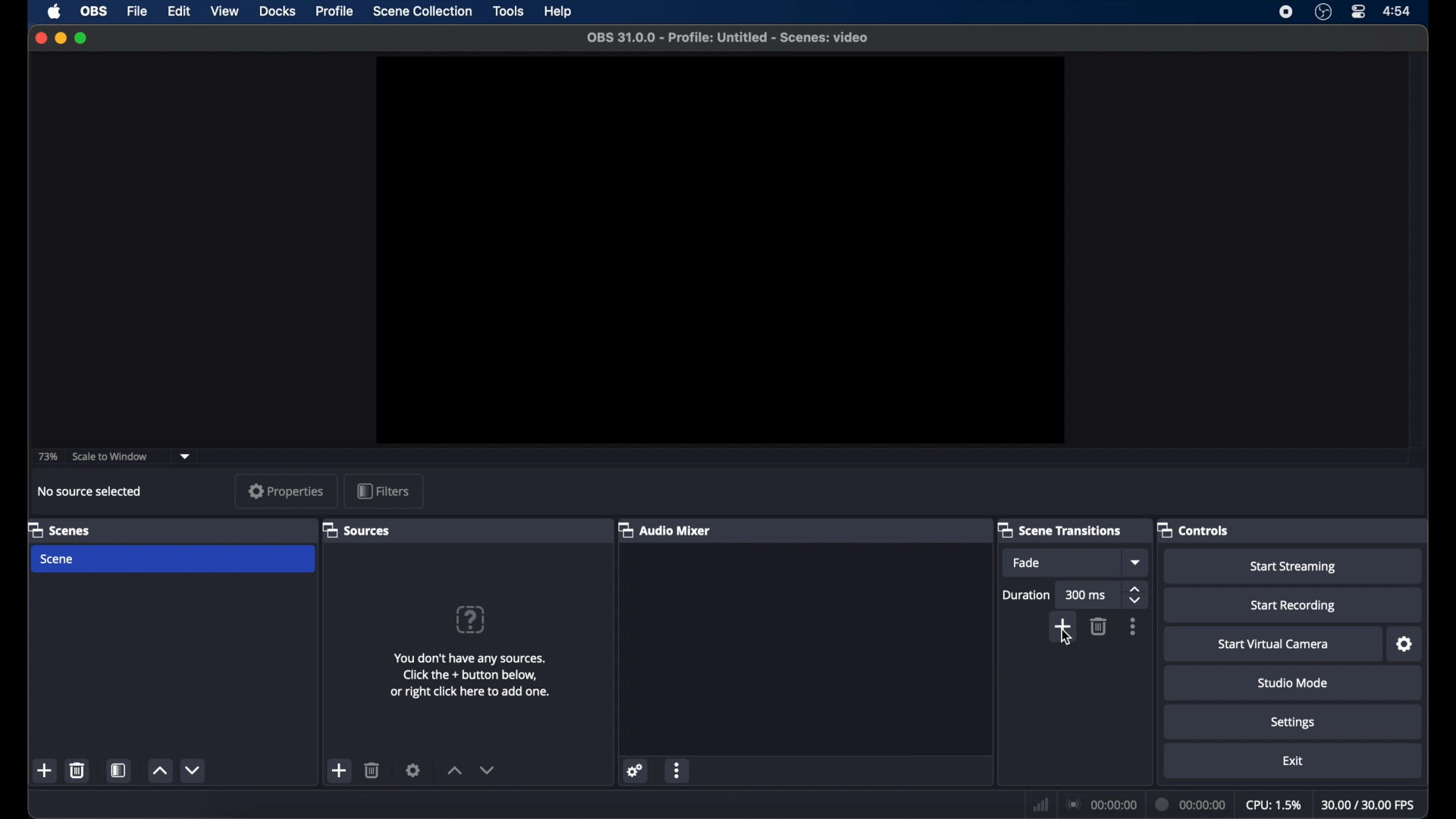 The image size is (1456, 819). What do you see at coordinates (1086, 595) in the screenshot?
I see `300 ms` at bounding box center [1086, 595].